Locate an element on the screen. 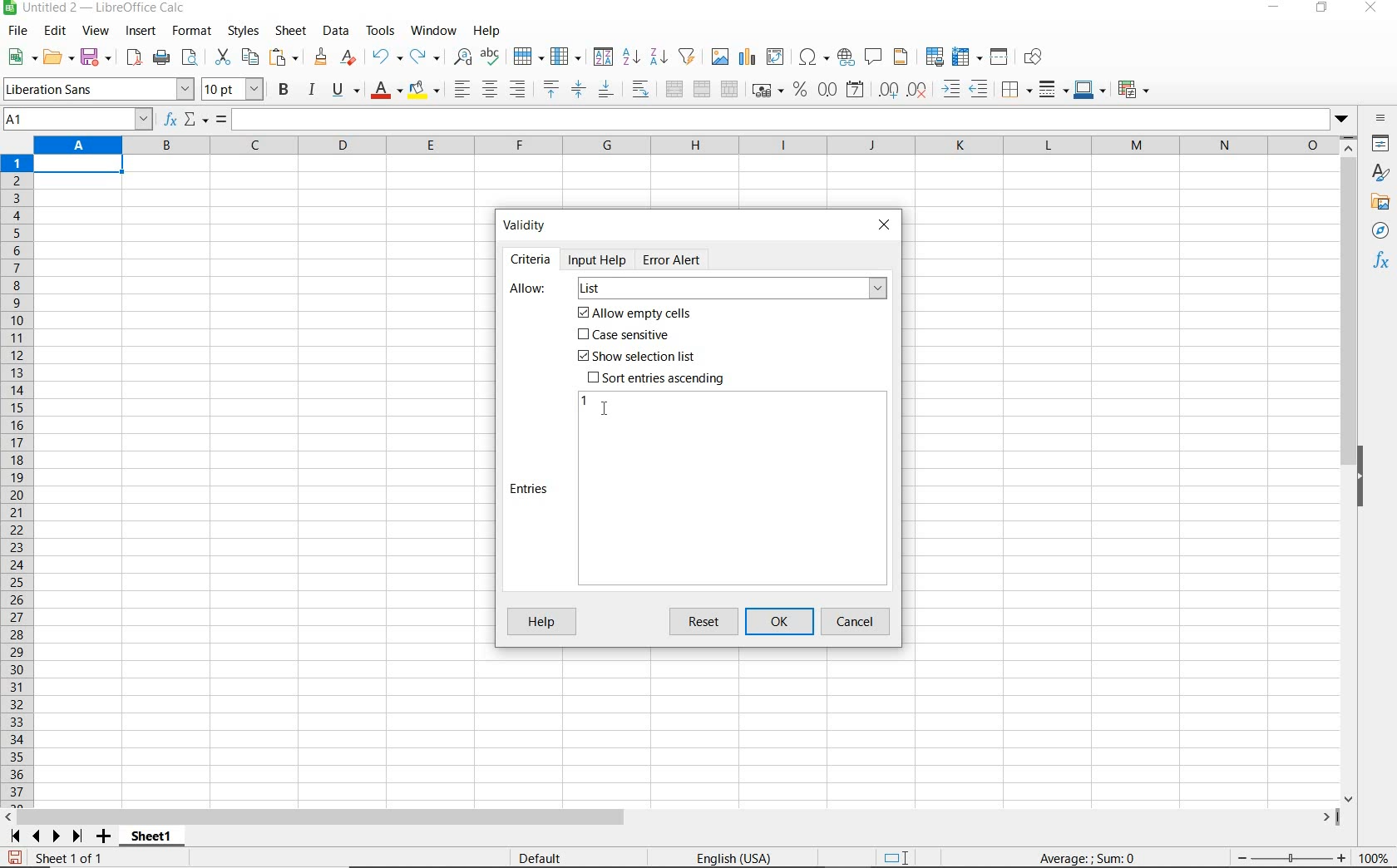  headers and footers is located at coordinates (904, 57).